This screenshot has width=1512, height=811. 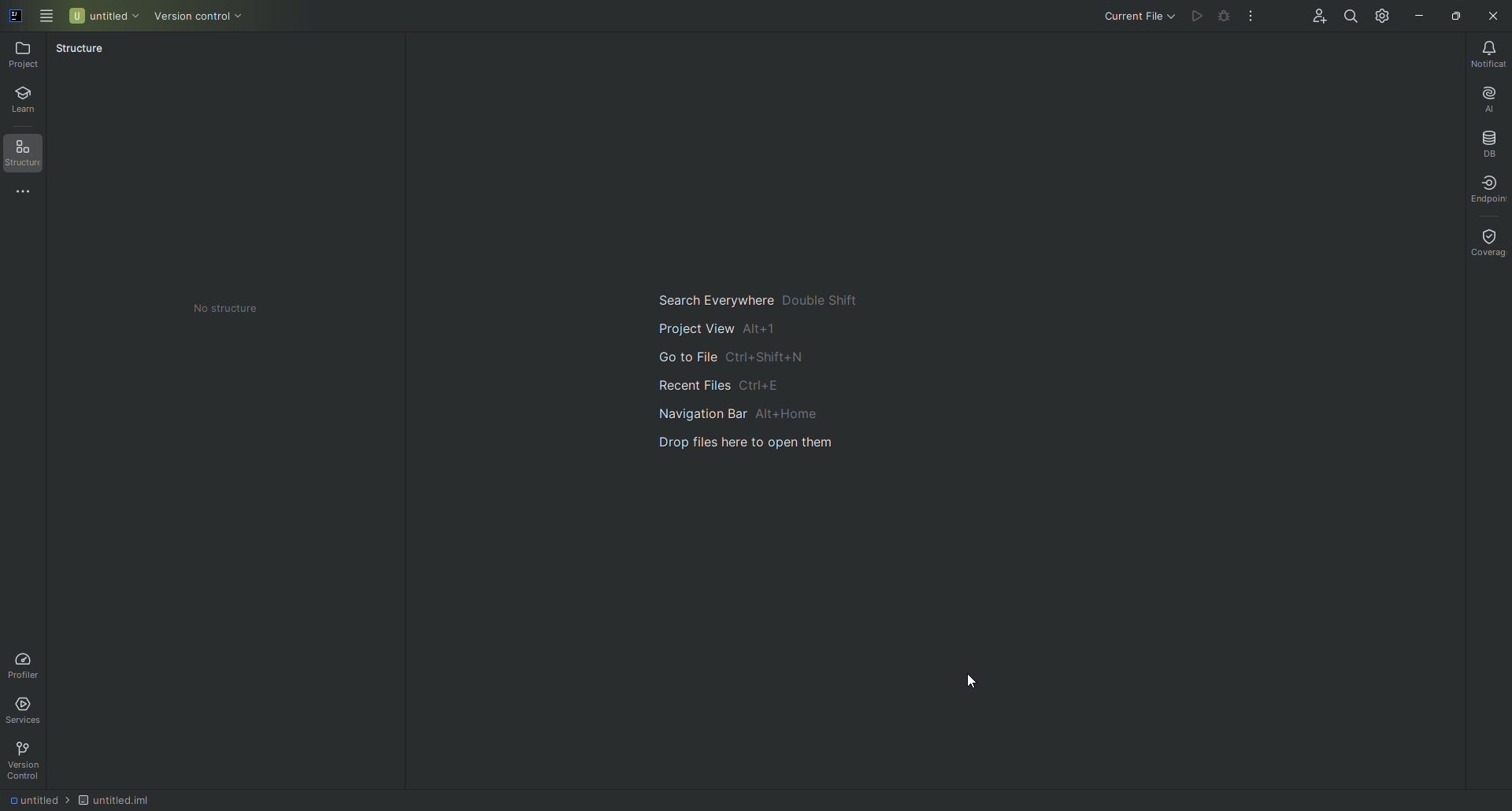 I want to click on Services, so click(x=33, y=710).